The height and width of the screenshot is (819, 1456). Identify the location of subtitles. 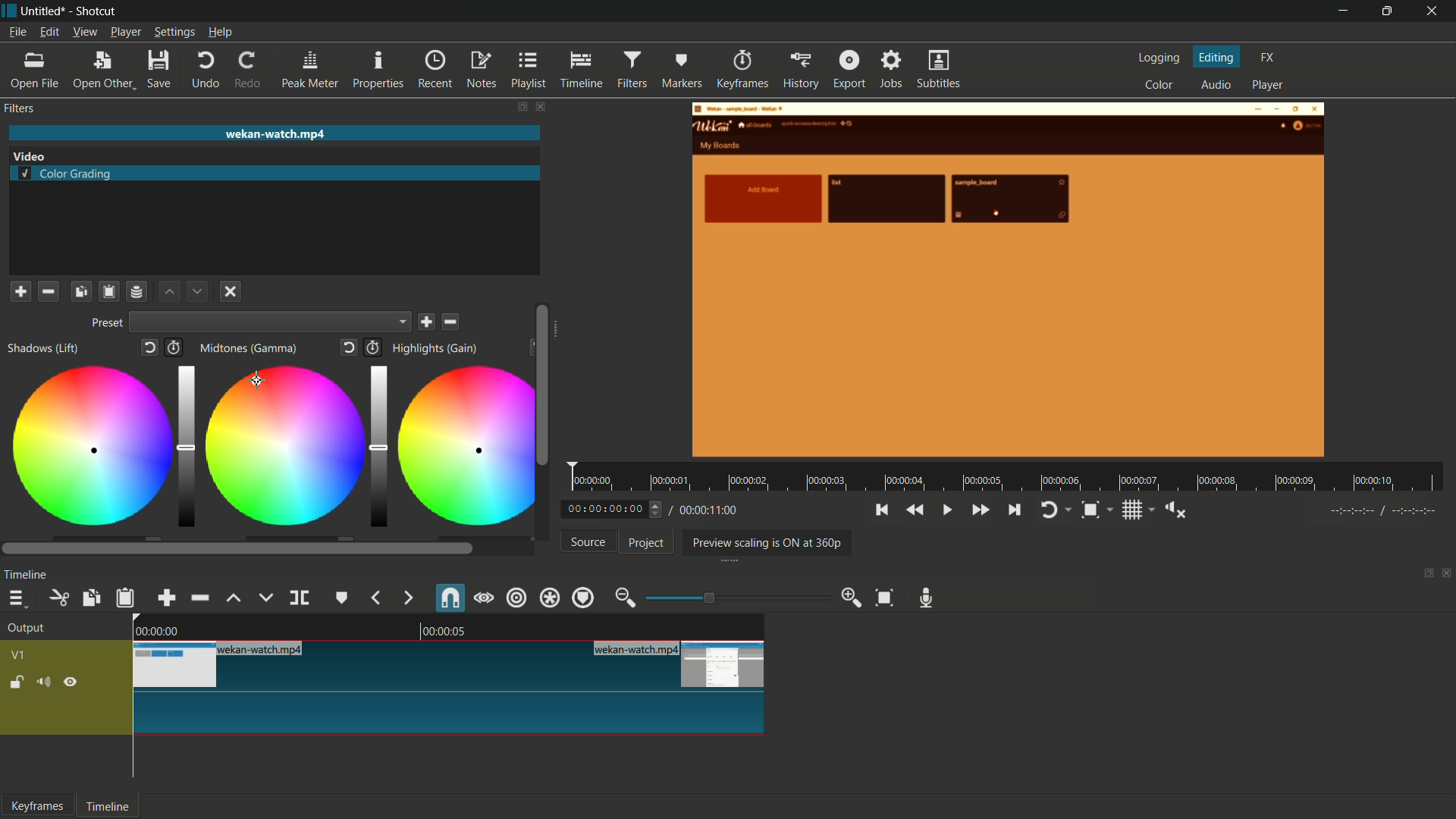
(940, 69).